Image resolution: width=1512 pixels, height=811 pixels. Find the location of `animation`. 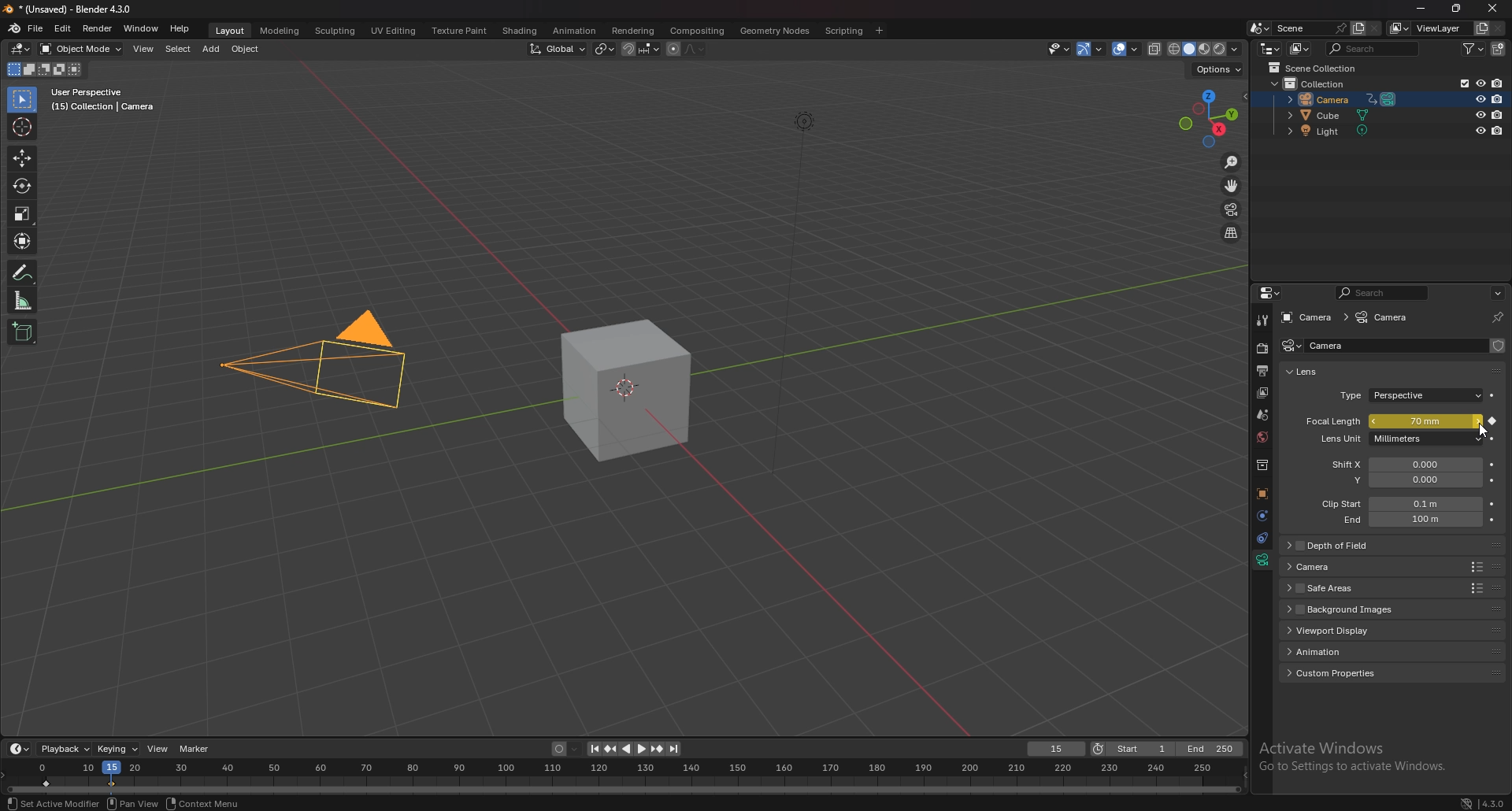

animation is located at coordinates (573, 30).